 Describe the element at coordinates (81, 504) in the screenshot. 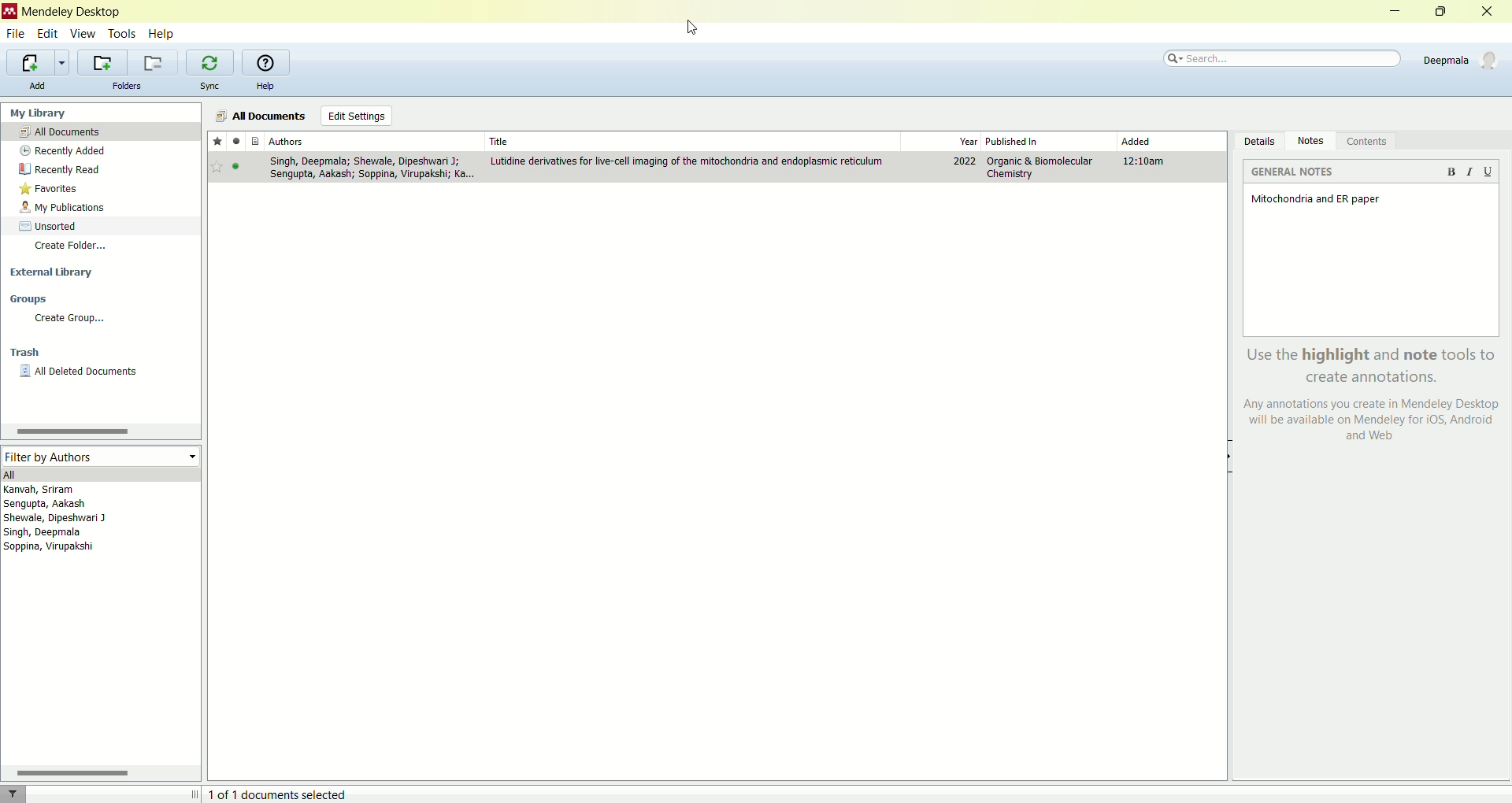

I see `Sengupta, Aakash` at that location.